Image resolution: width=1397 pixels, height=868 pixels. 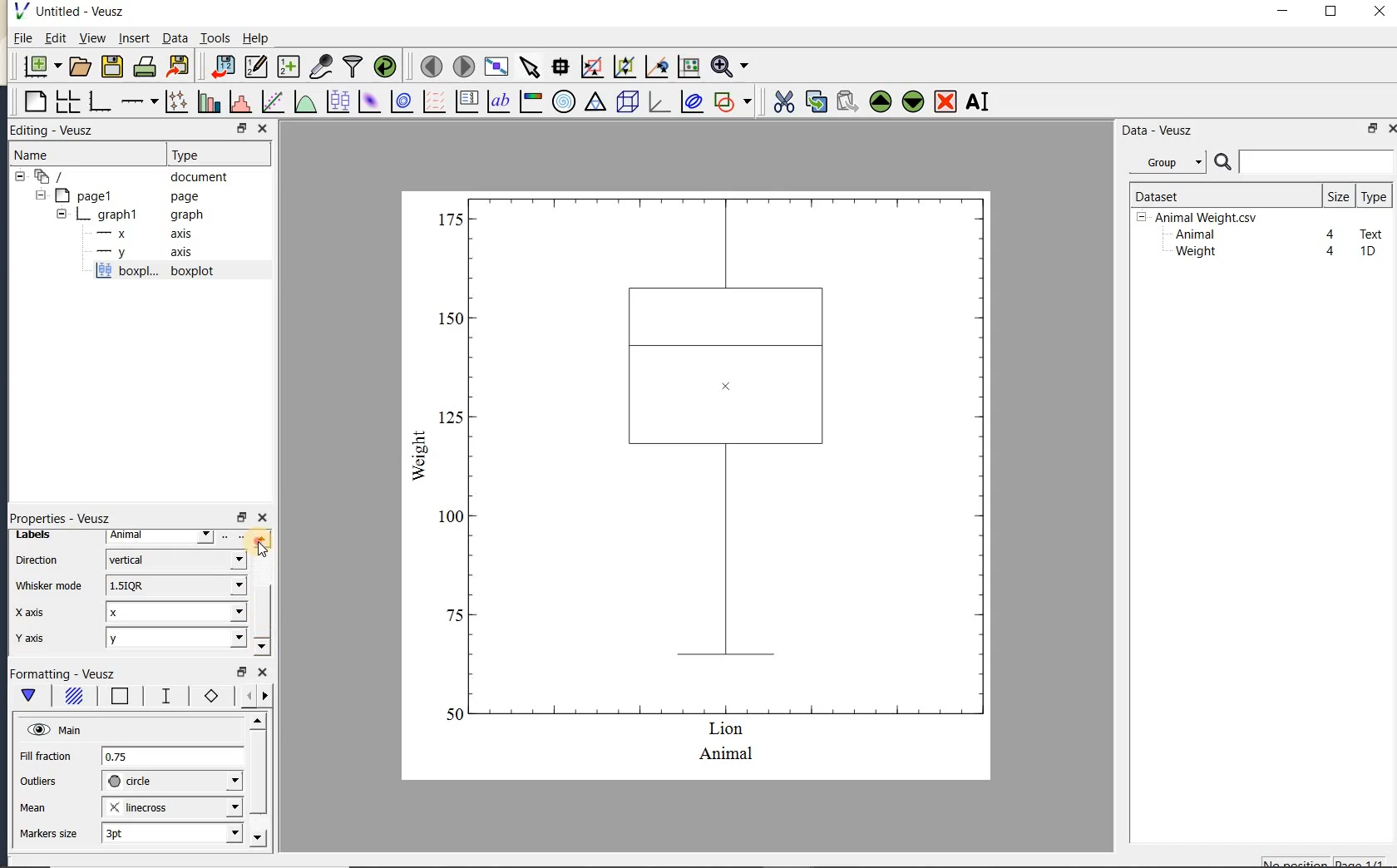 What do you see at coordinates (111, 67) in the screenshot?
I see `save the document` at bounding box center [111, 67].